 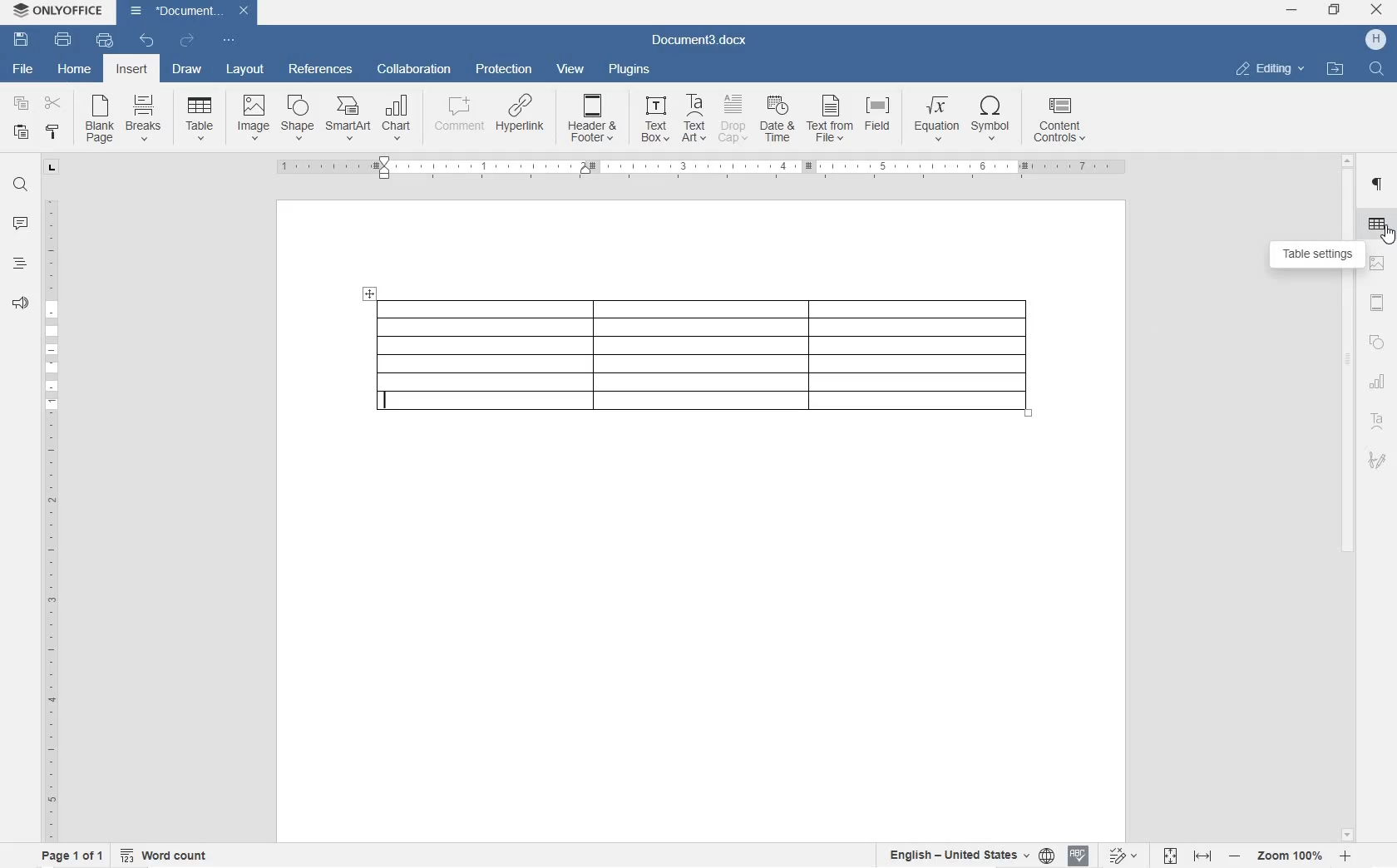 What do you see at coordinates (1078, 857) in the screenshot?
I see `SPELL CHECKING` at bounding box center [1078, 857].